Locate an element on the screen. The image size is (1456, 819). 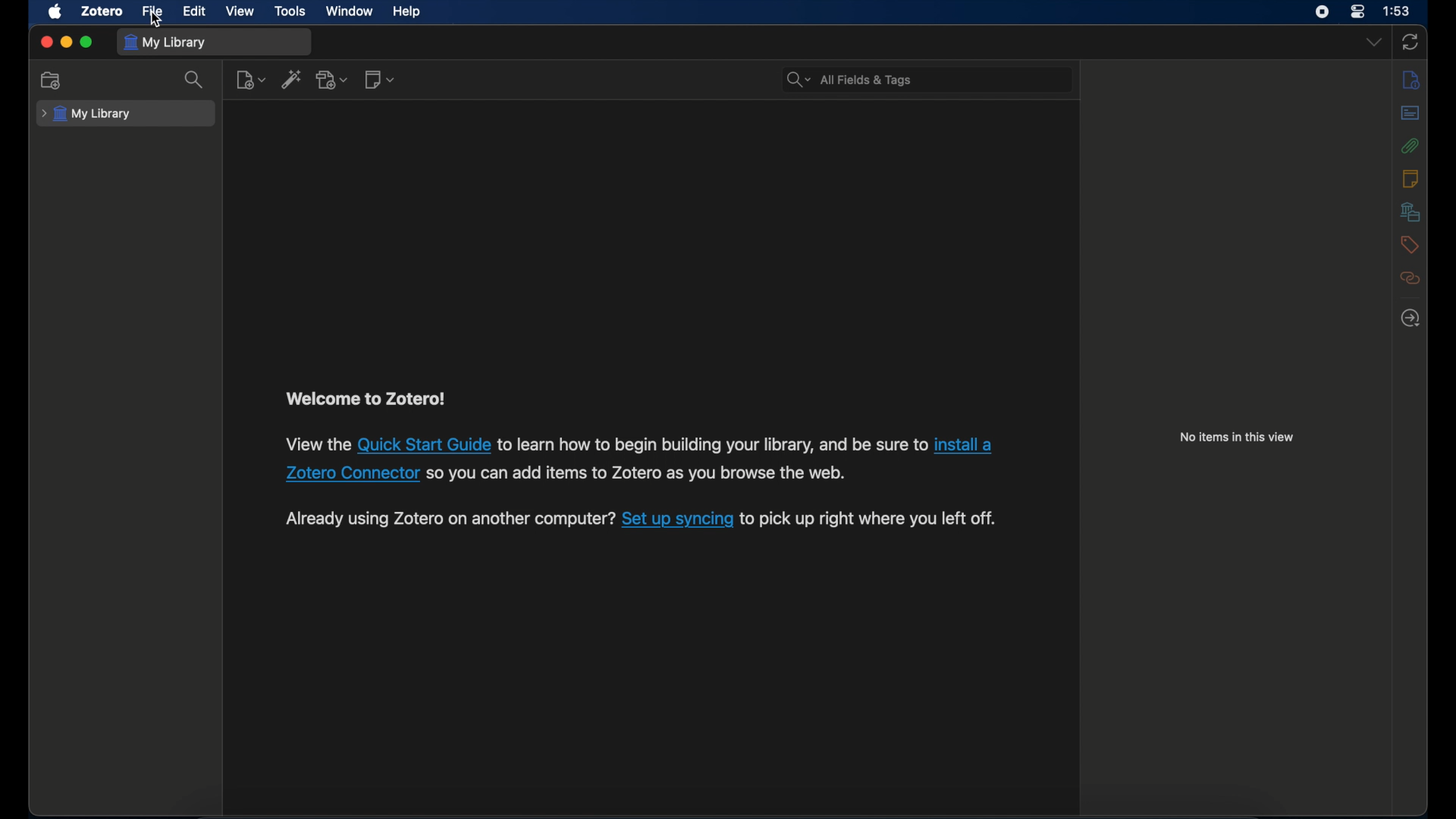
attachment is located at coordinates (1411, 146).